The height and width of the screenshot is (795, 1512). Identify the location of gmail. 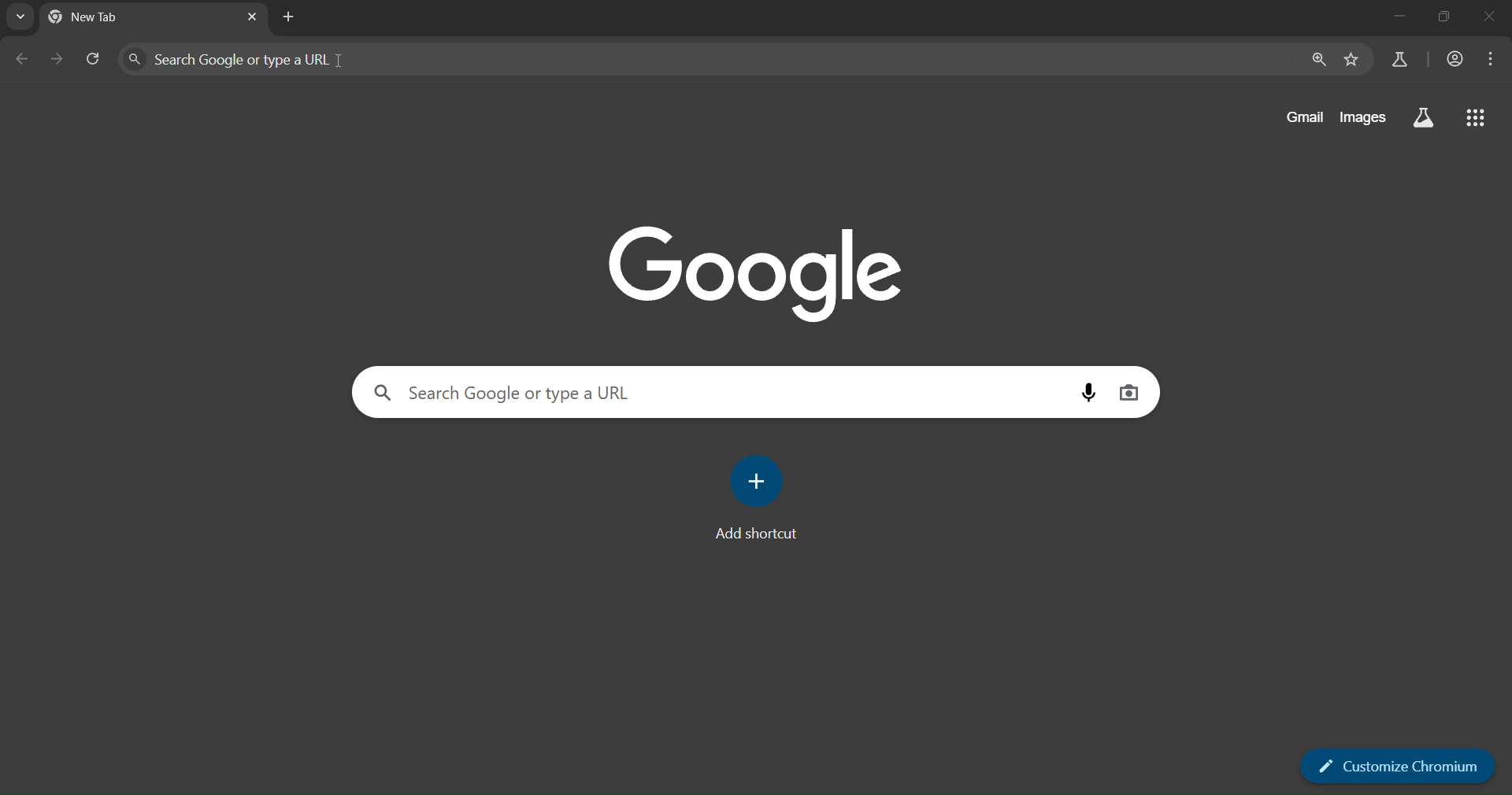
(1303, 117).